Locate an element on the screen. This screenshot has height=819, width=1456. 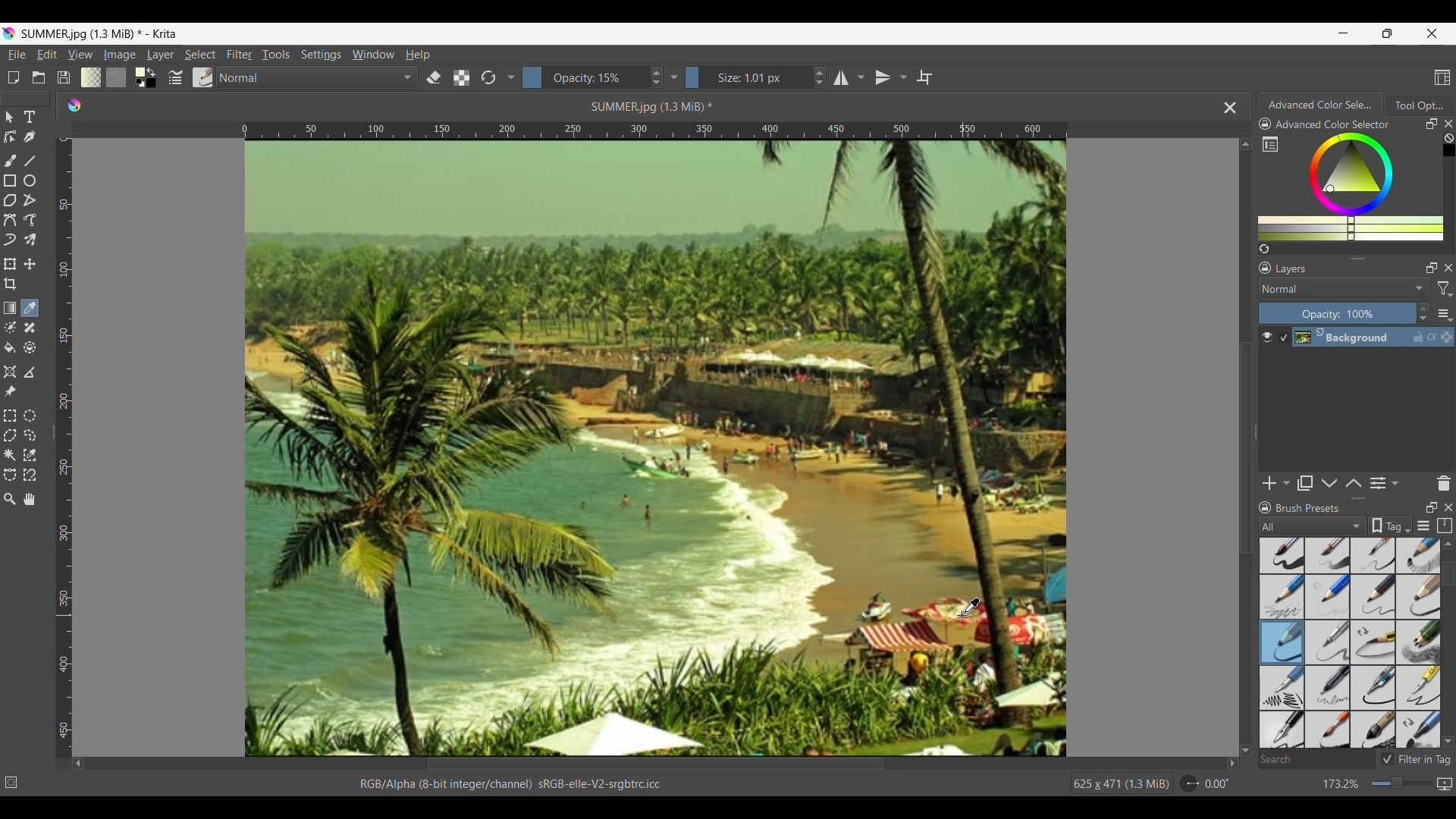
Horizontal mirror tool settings is located at coordinates (860, 77).